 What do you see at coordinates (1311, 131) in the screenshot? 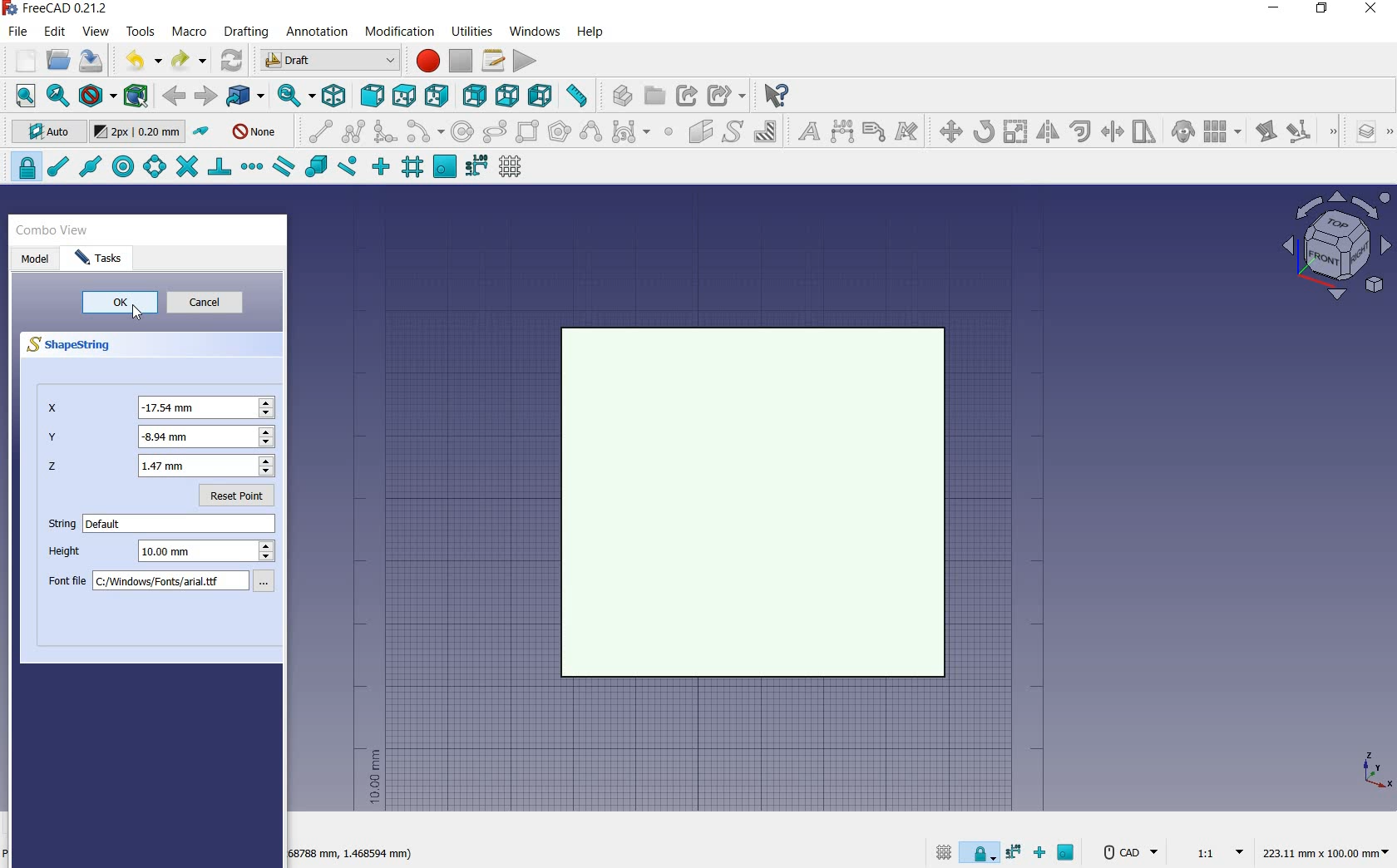
I see `subelement highlight` at bounding box center [1311, 131].